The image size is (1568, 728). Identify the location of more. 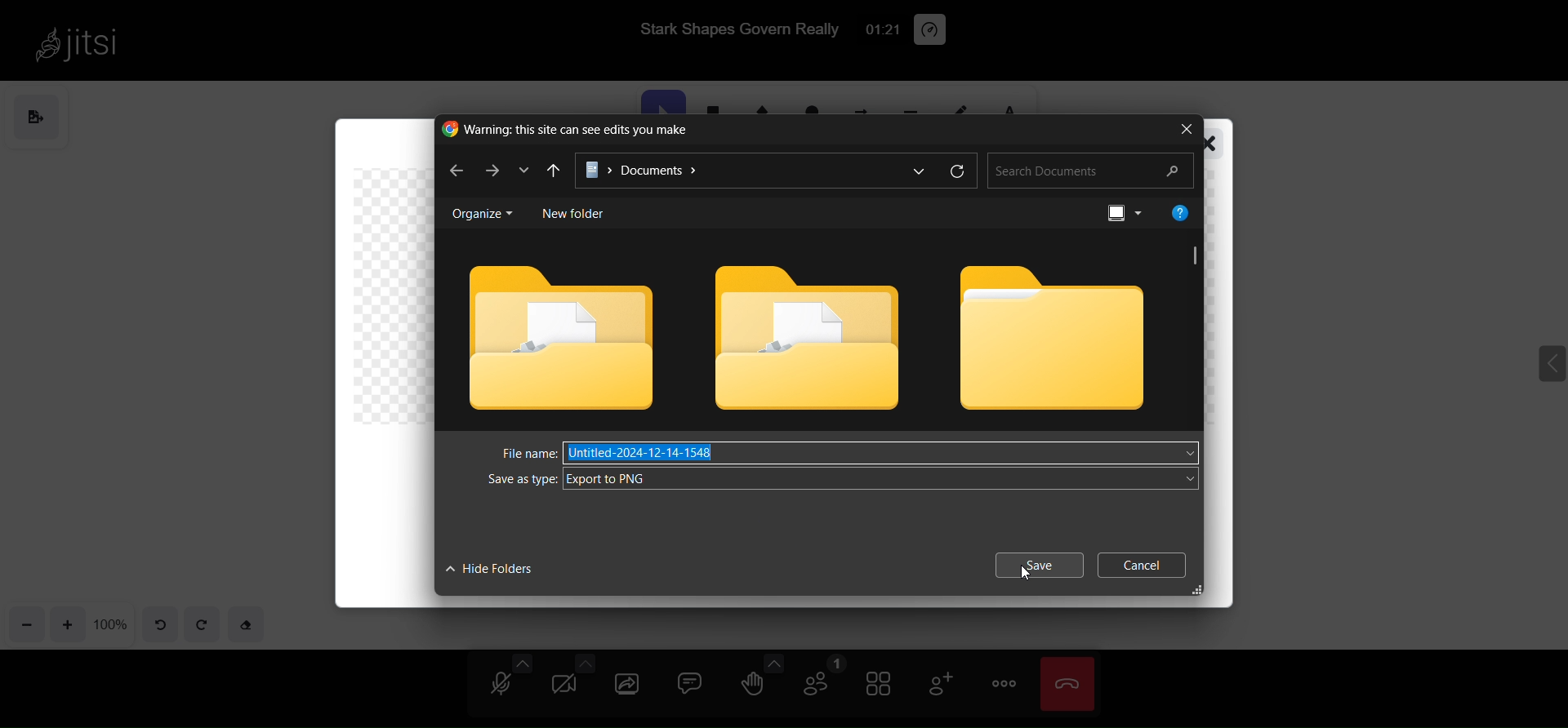
(1003, 681).